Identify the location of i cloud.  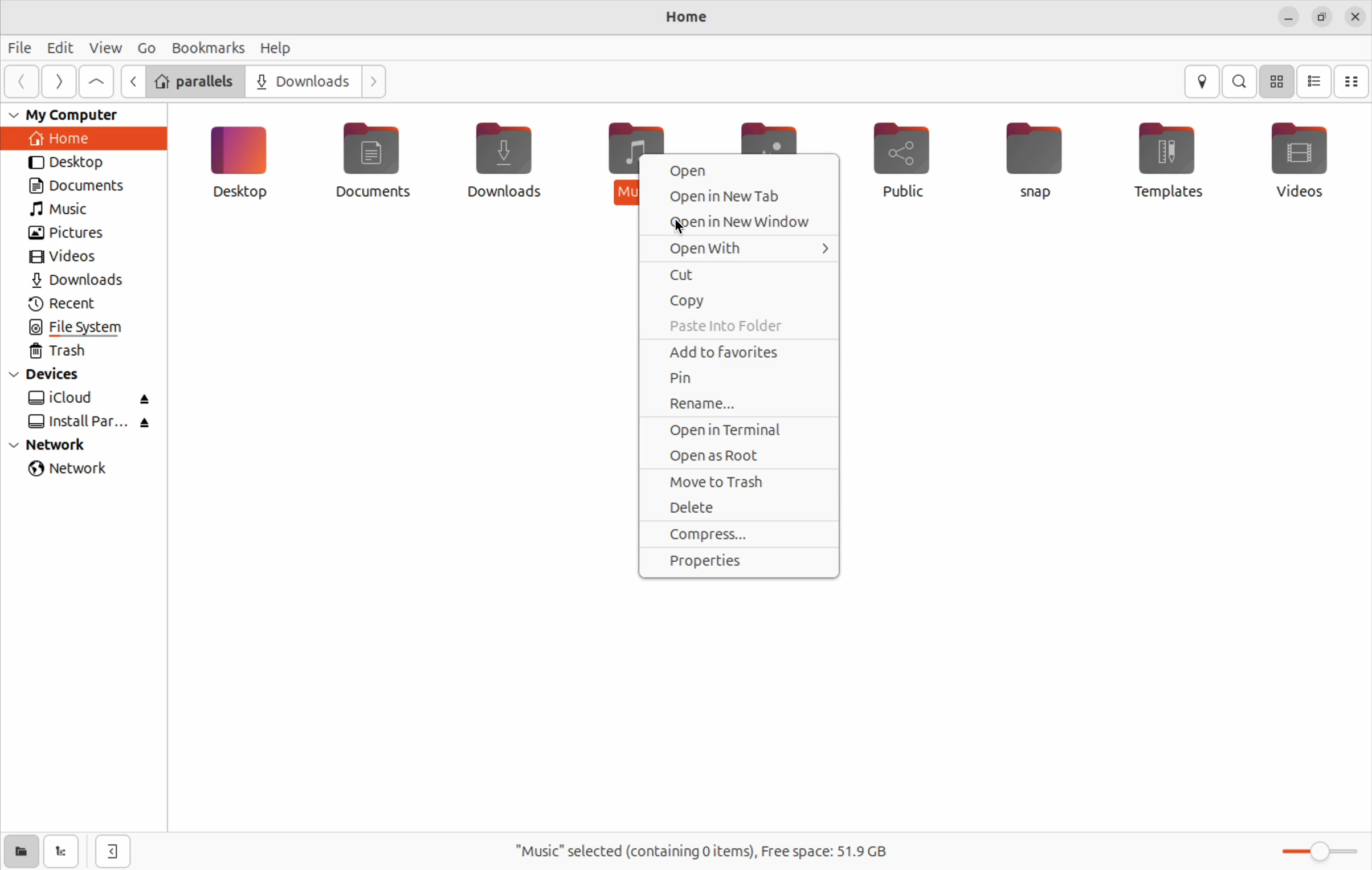
(91, 399).